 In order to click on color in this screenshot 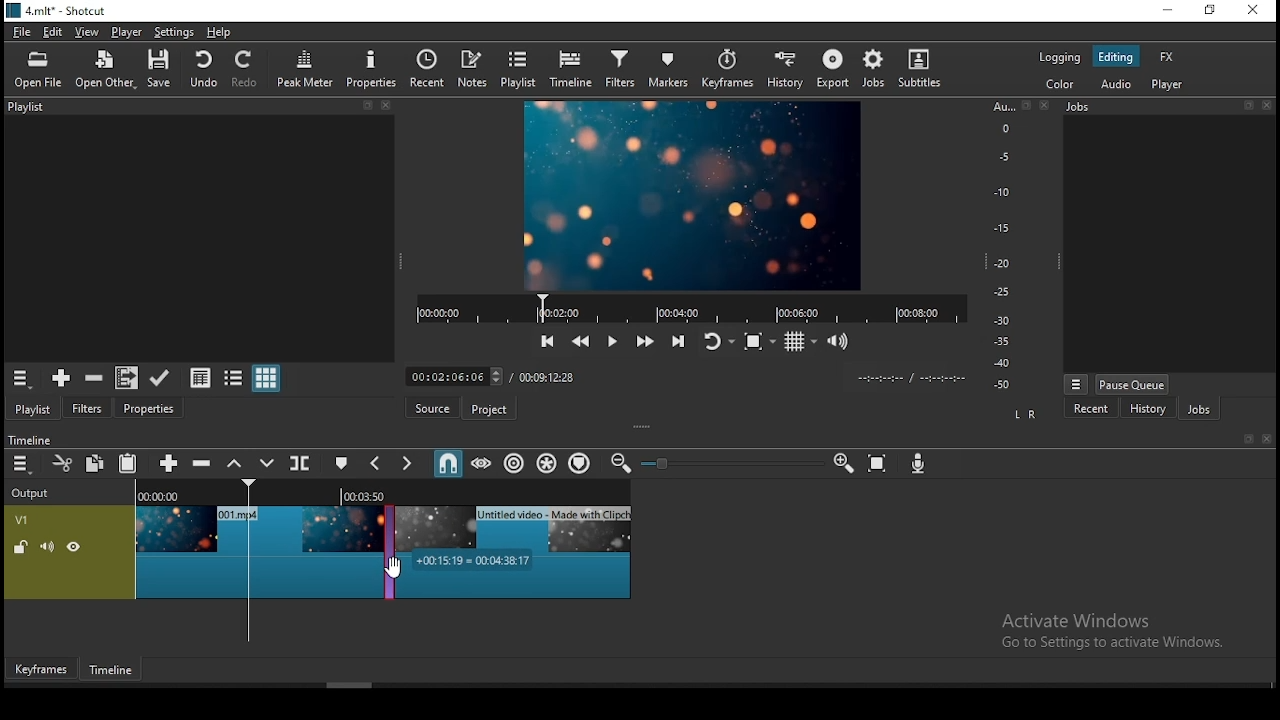, I will do `click(1059, 86)`.